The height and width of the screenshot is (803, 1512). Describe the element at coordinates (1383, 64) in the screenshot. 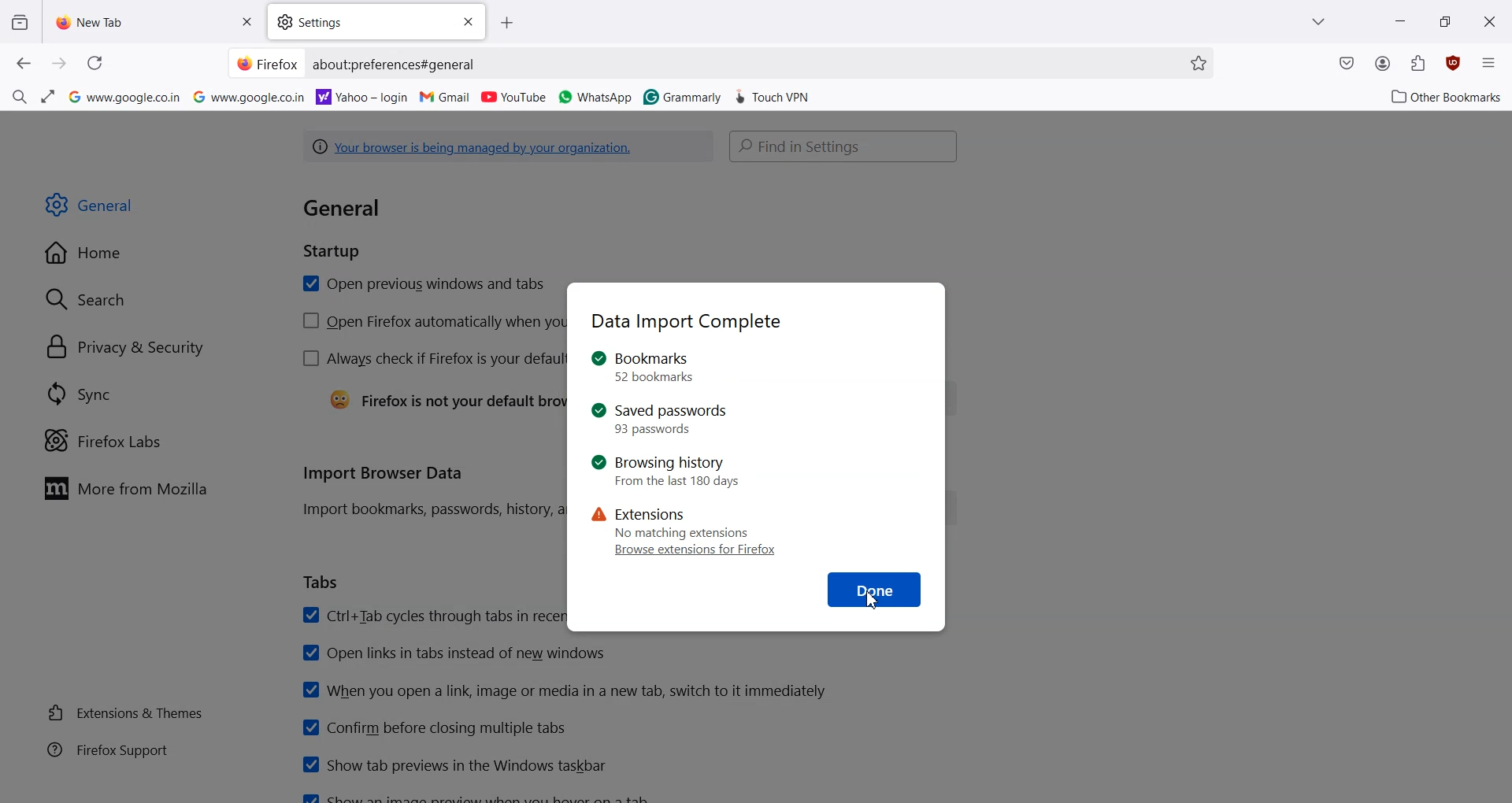

I see `Account` at that location.